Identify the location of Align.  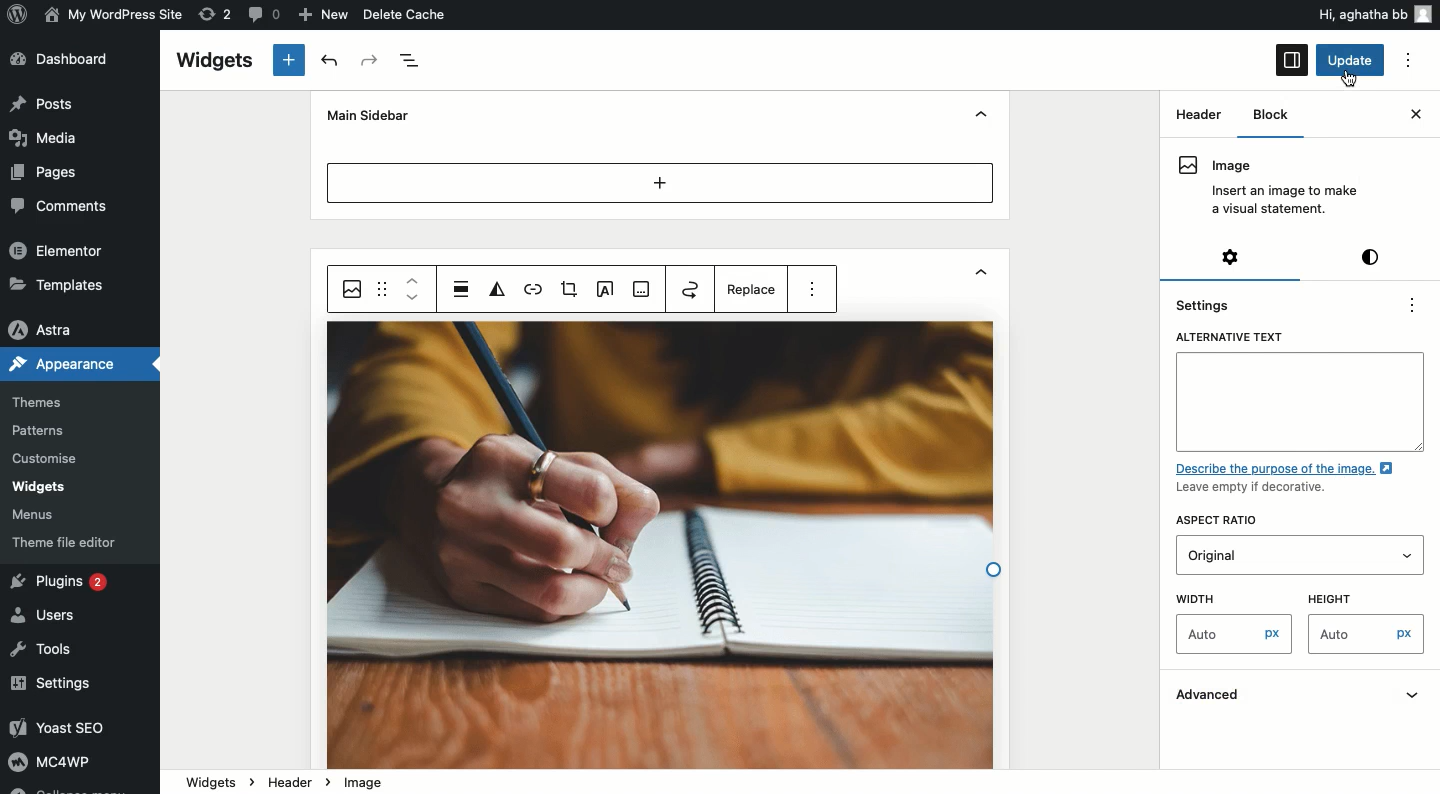
(462, 288).